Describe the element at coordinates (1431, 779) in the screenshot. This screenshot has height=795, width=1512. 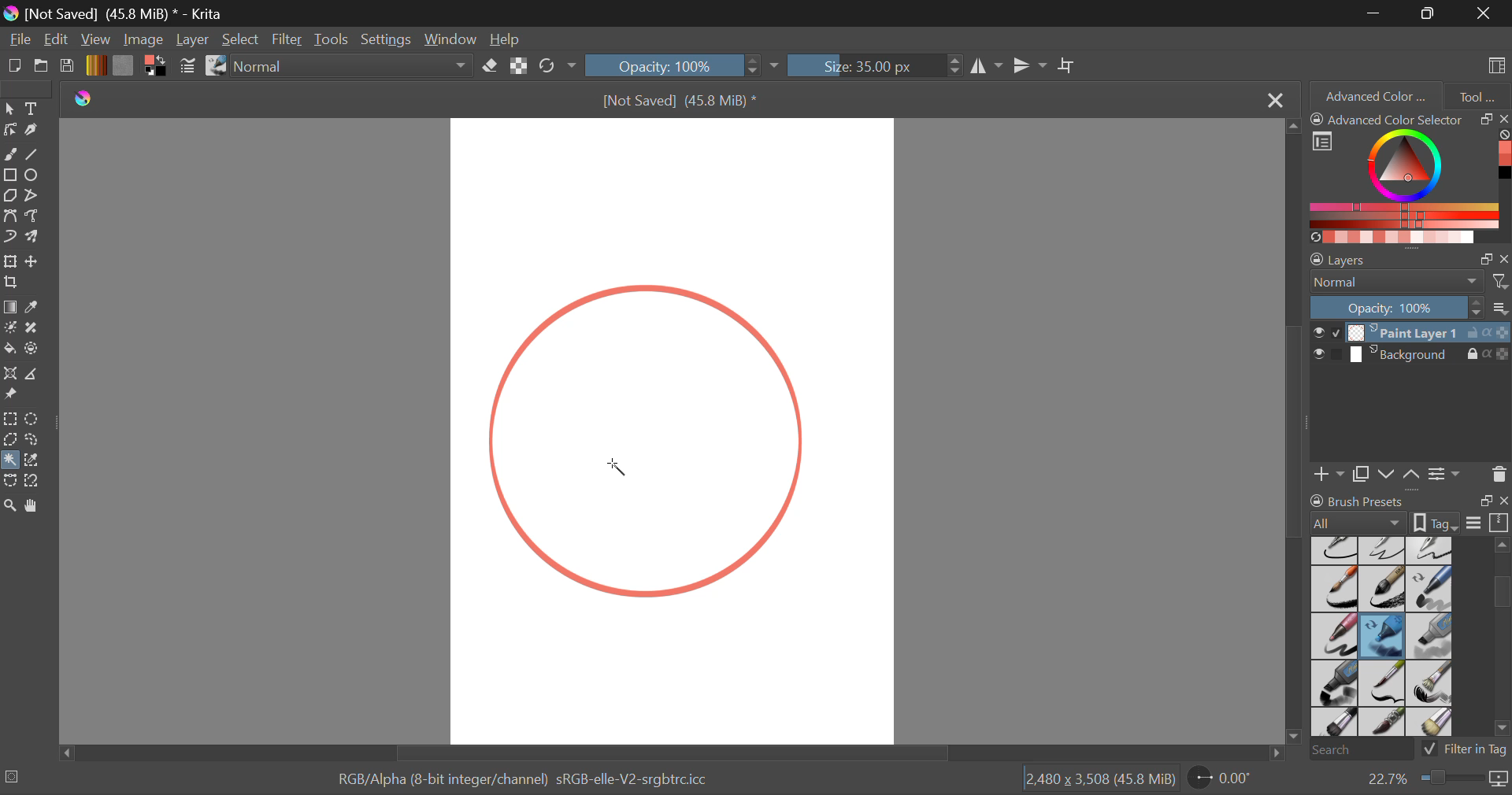
I see `Zoom 22.7%` at that location.